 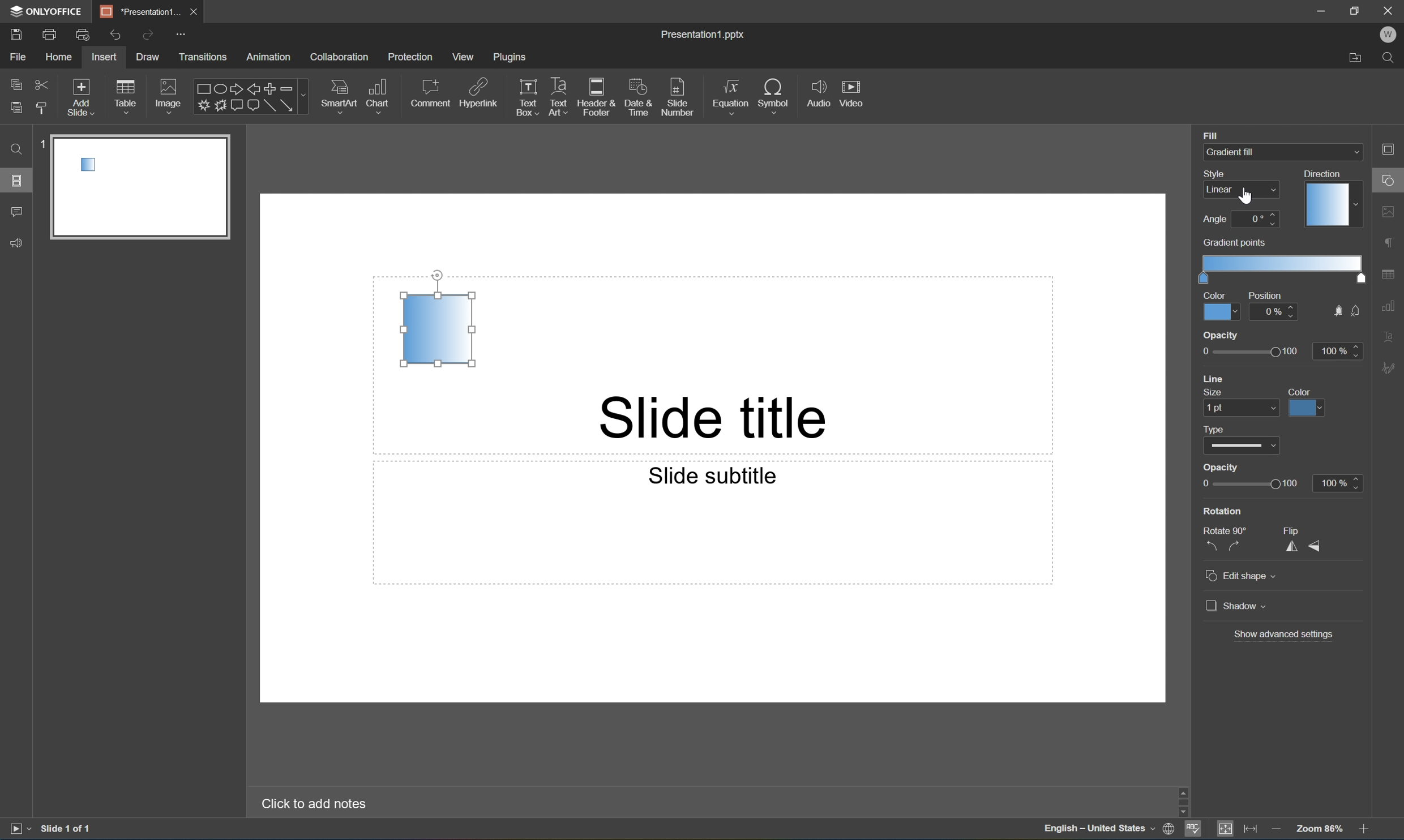 What do you see at coordinates (713, 477) in the screenshot?
I see `Slide subtitle` at bounding box center [713, 477].